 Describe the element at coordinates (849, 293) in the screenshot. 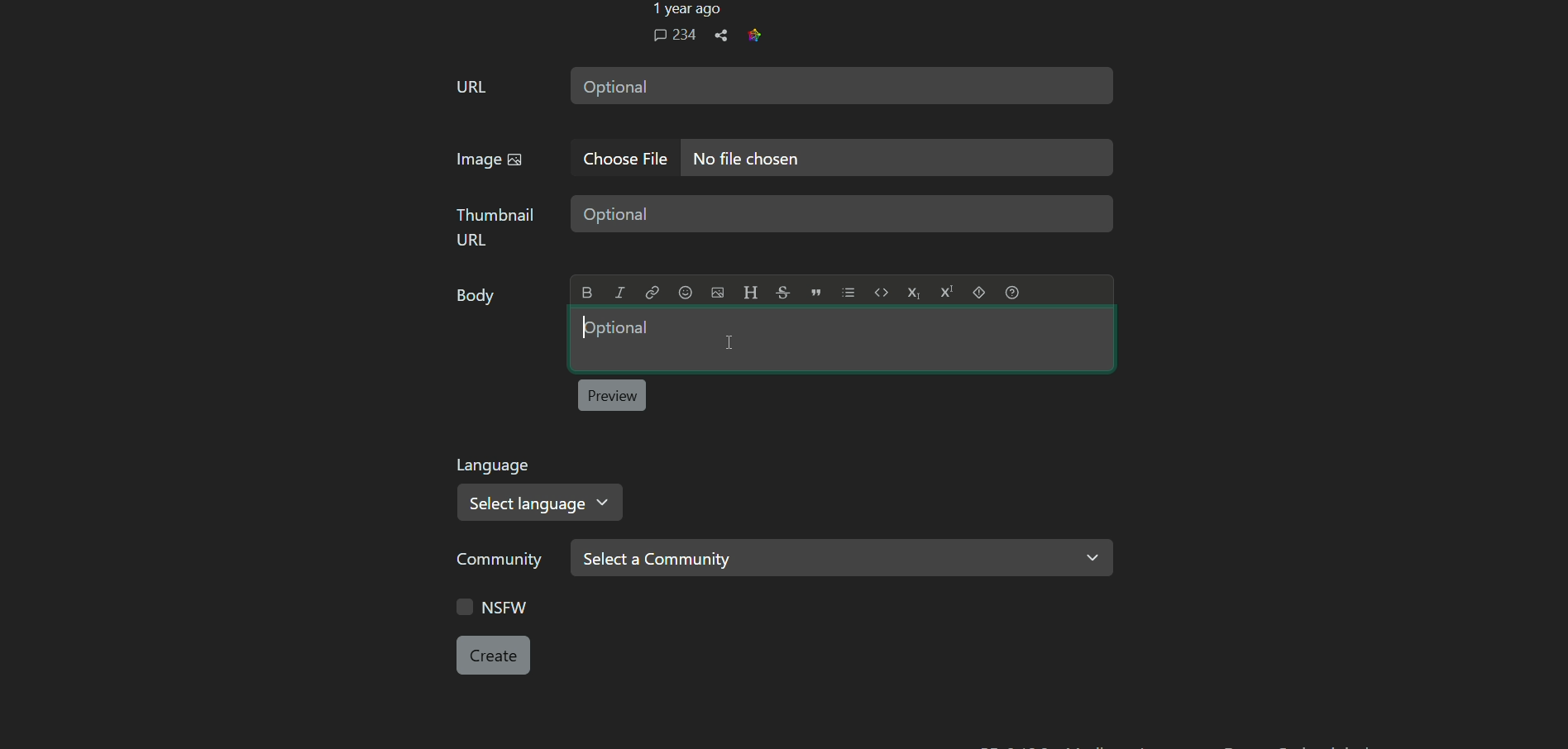

I see `List` at that location.